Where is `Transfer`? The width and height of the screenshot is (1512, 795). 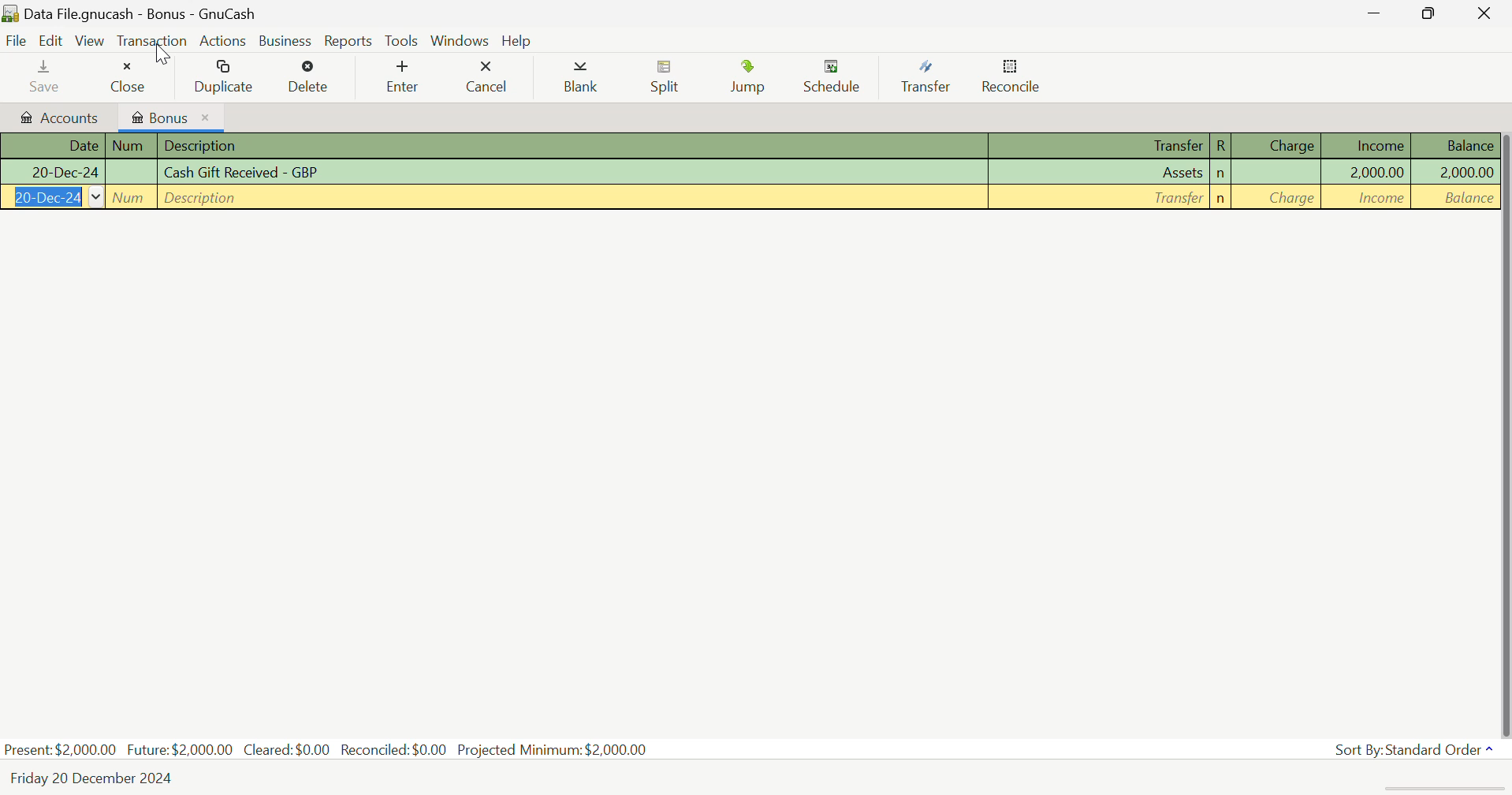
Transfer is located at coordinates (932, 77).